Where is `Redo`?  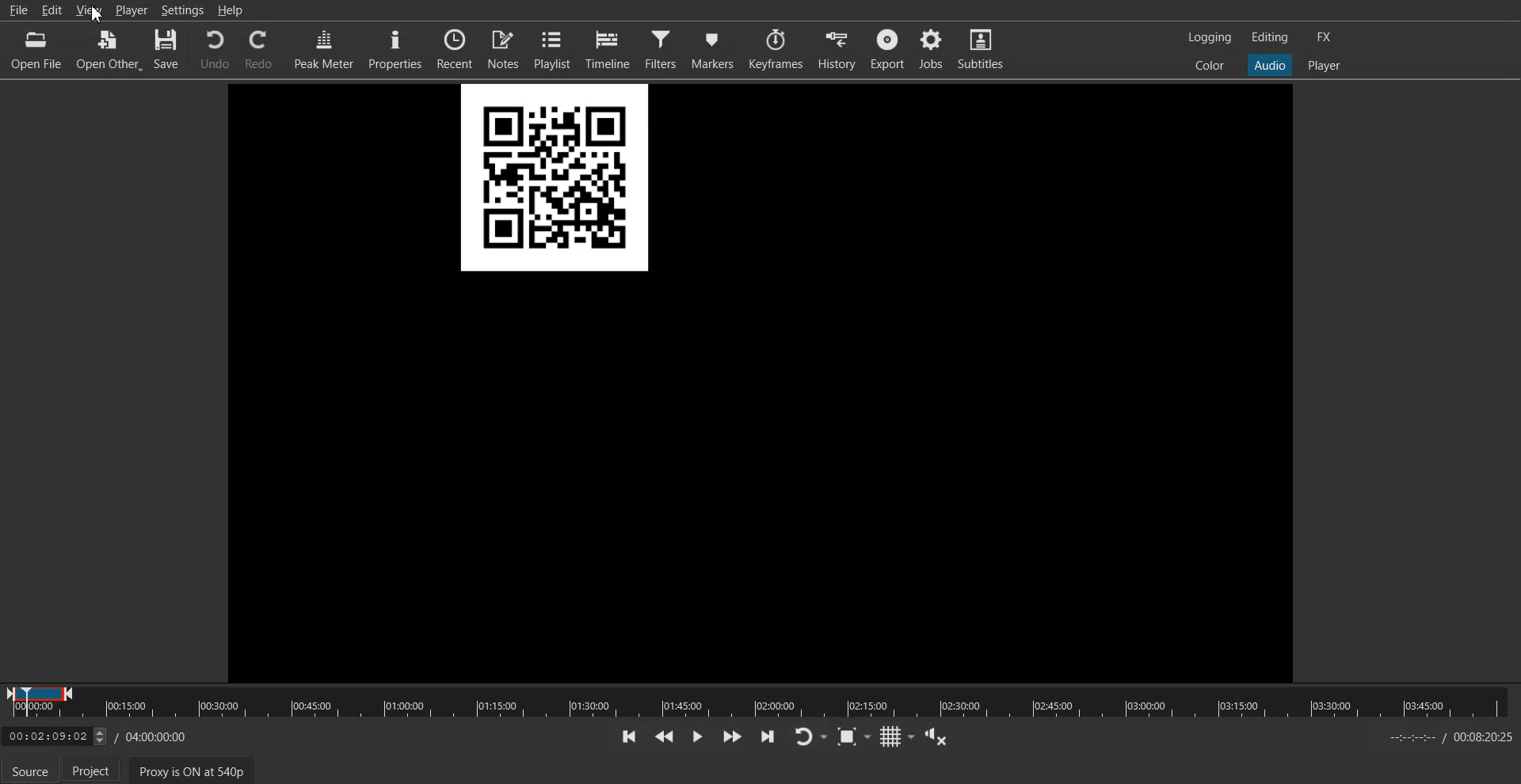
Redo is located at coordinates (259, 51).